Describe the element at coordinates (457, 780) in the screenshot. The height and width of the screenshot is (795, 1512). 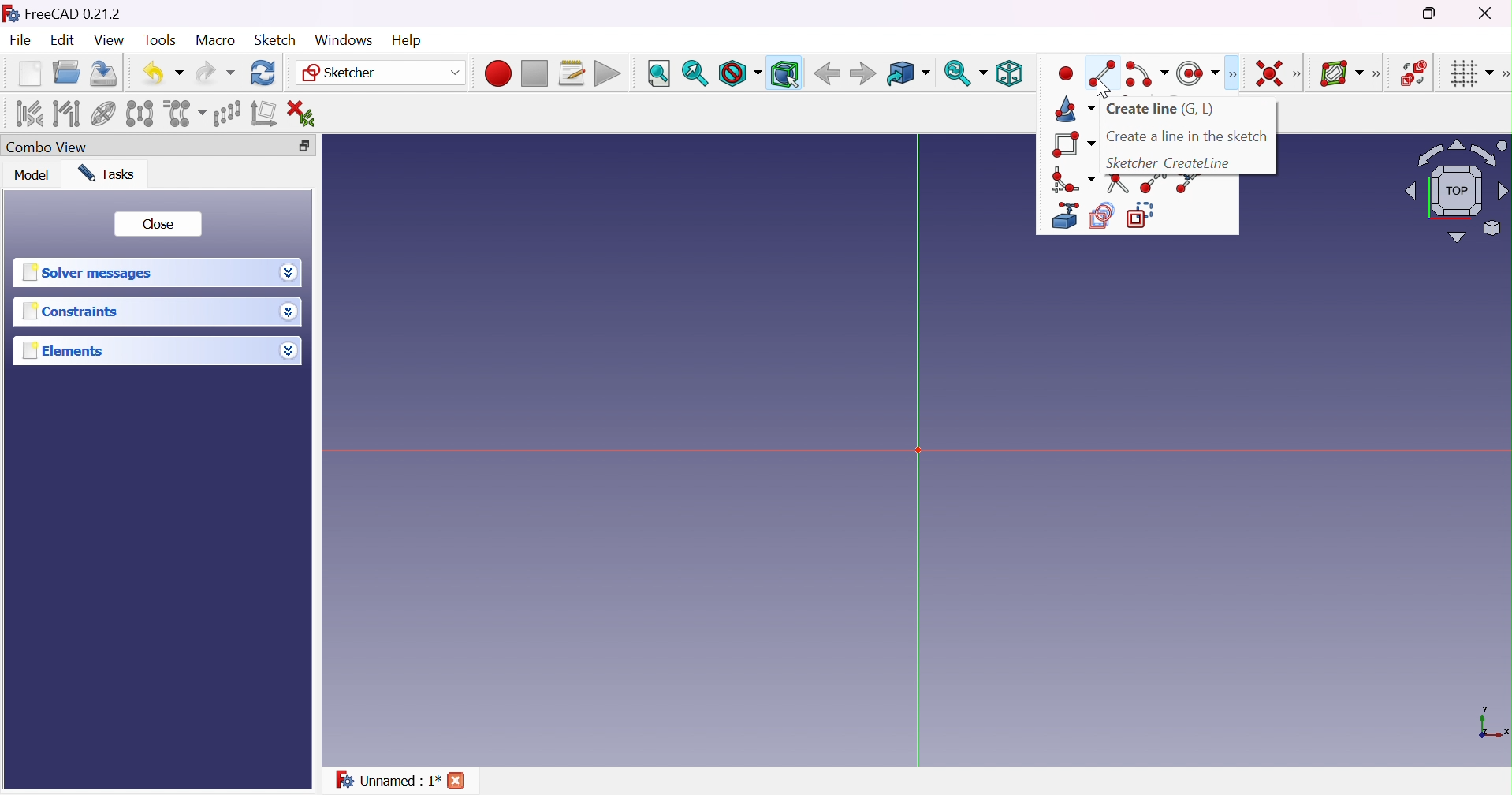
I see `Close` at that location.